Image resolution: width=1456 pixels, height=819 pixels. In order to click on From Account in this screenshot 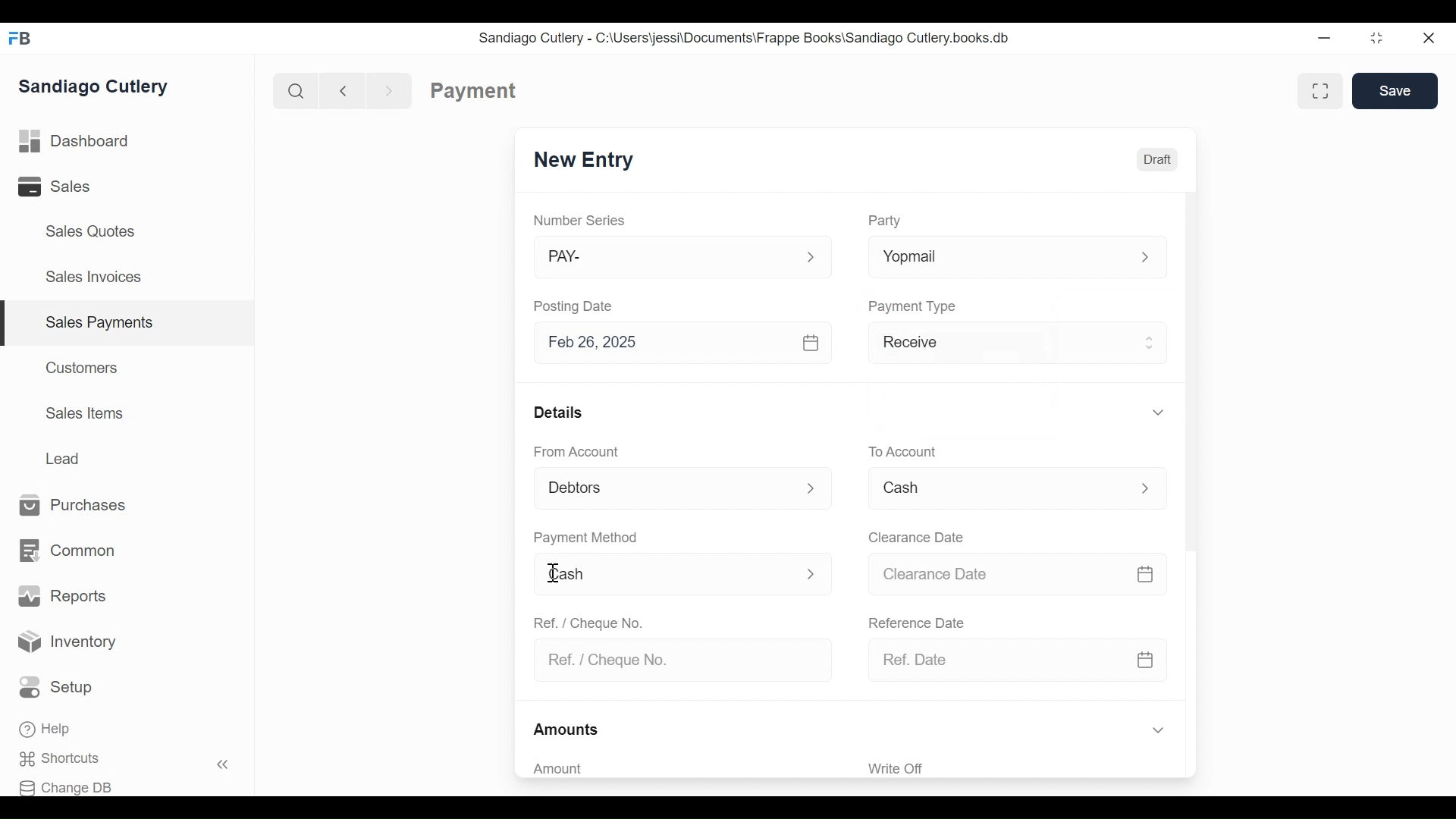, I will do `click(578, 452)`.